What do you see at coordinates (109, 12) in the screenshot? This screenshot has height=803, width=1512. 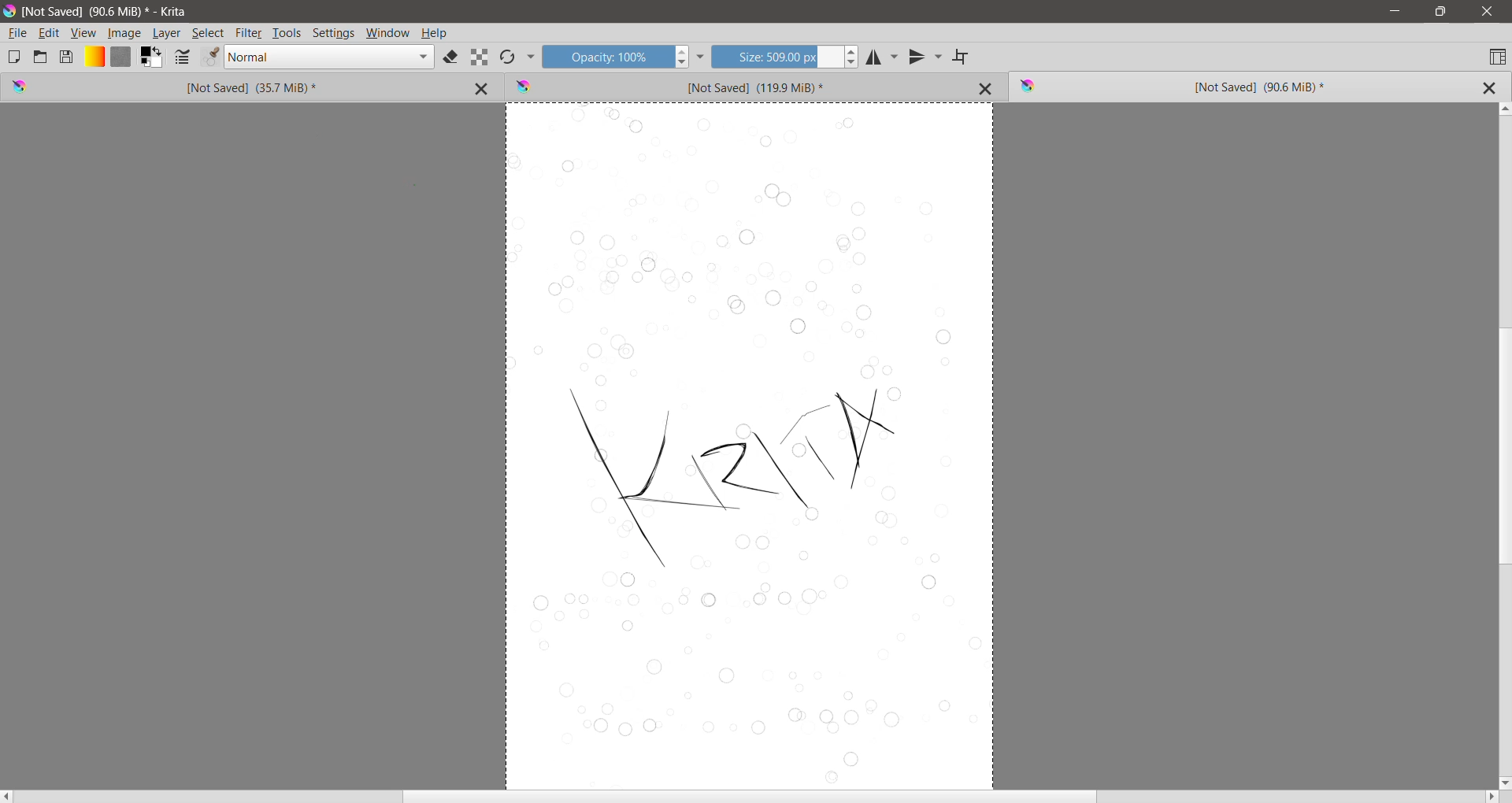 I see `Fie Title, Size - Application Name` at bounding box center [109, 12].